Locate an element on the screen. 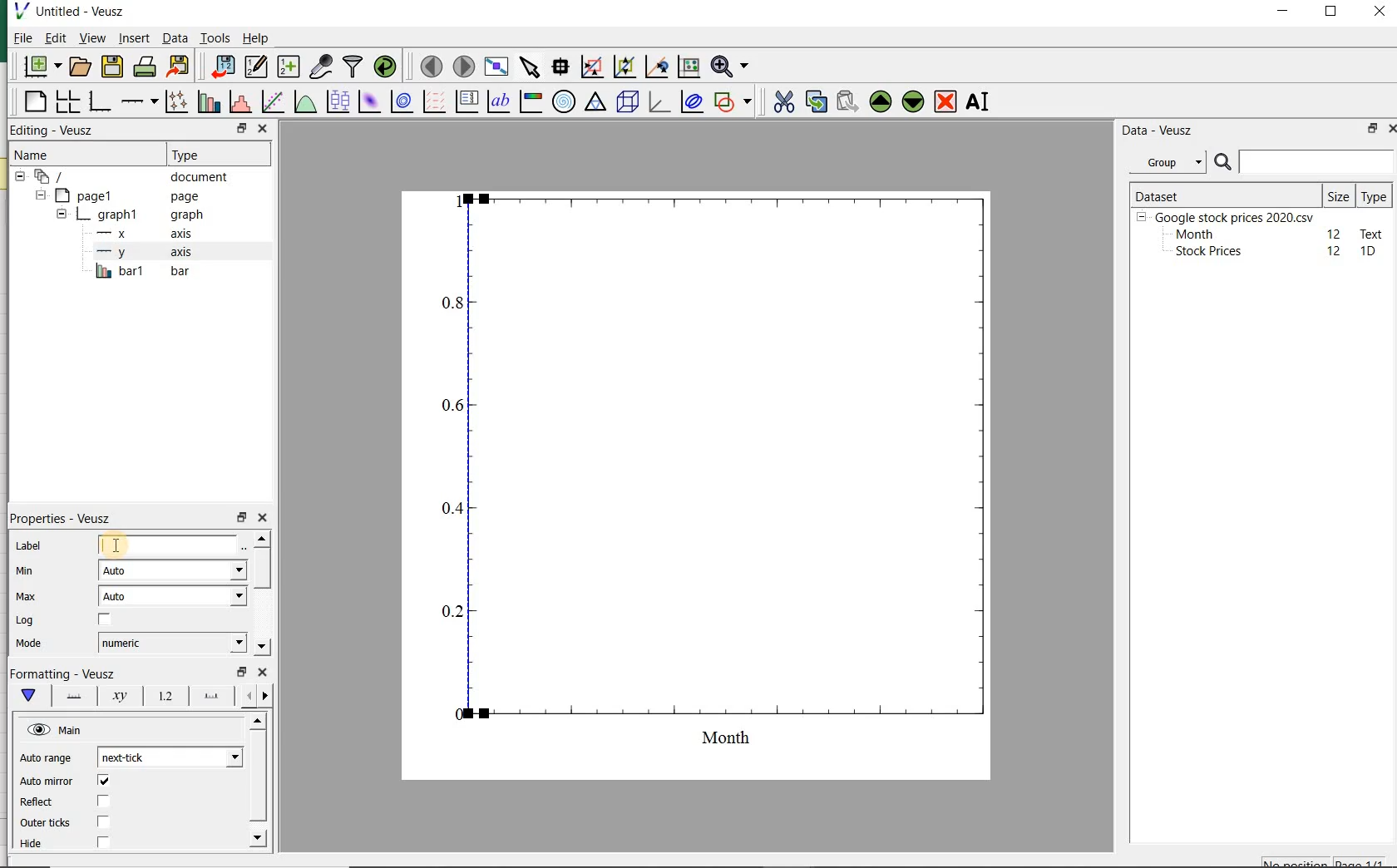  maximize is located at coordinates (1334, 13).